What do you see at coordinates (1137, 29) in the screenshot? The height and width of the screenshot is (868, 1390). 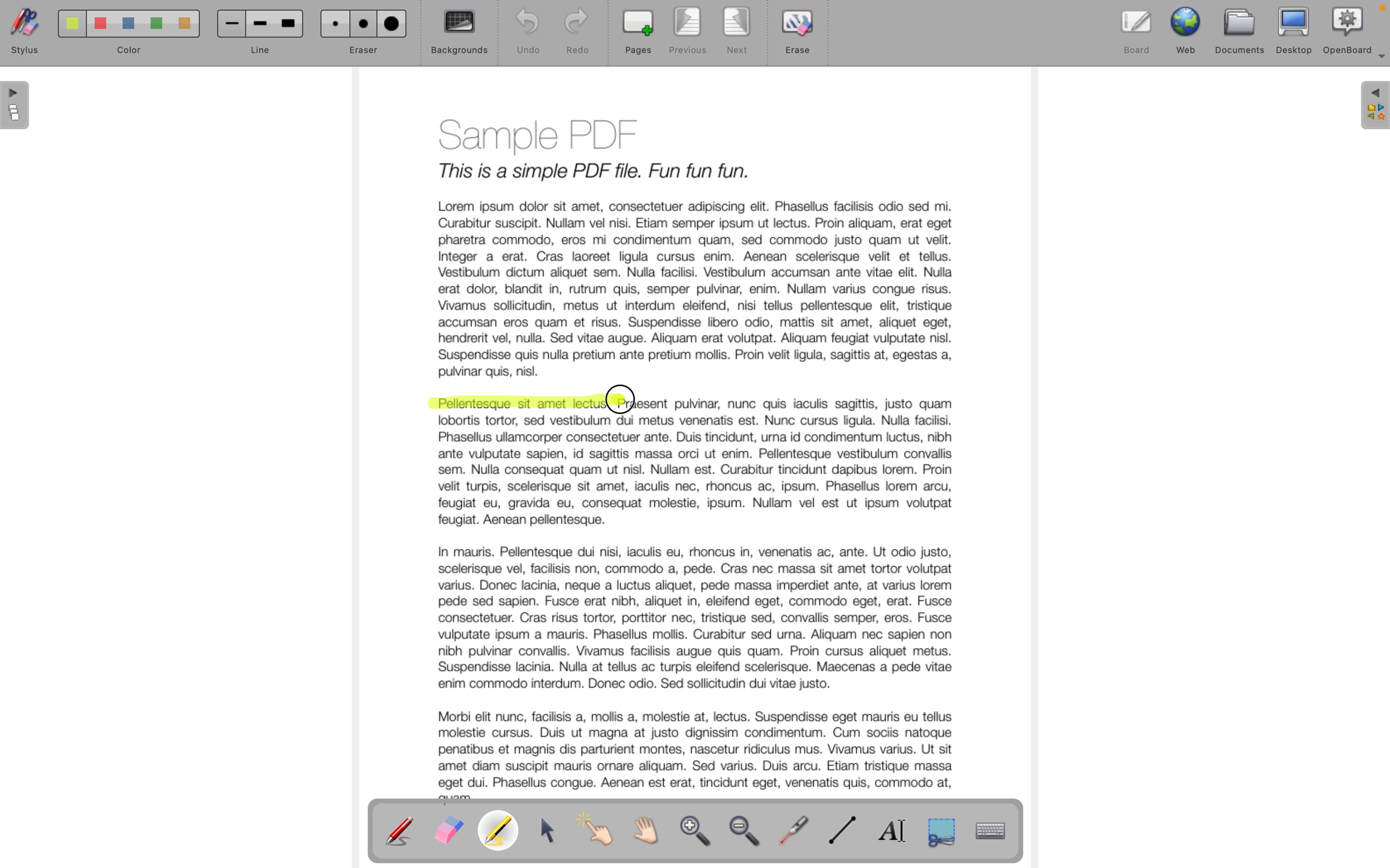 I see `board` at bounding box center [1137, 29].